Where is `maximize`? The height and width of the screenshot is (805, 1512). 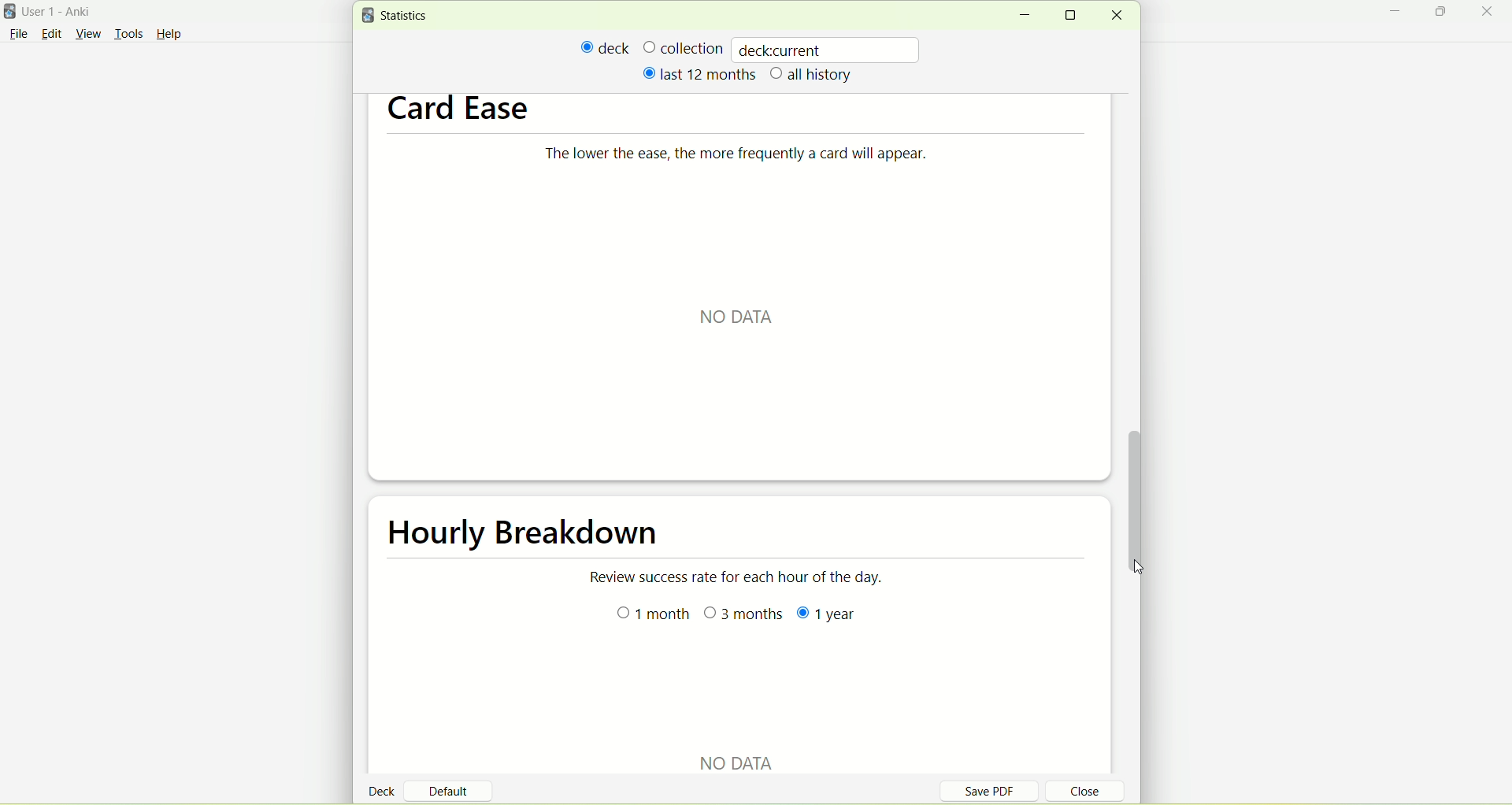 maximize is located at coordinates (1076, 15).